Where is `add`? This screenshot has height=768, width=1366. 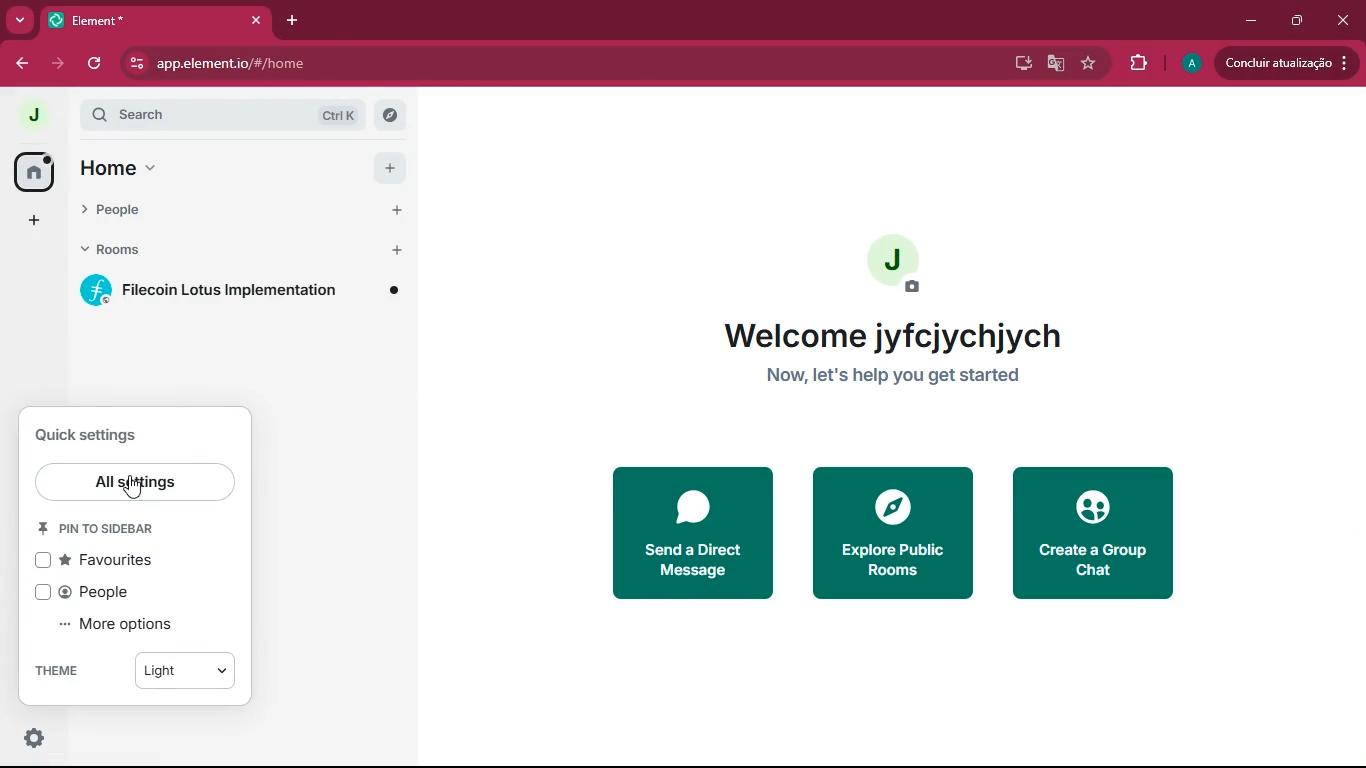 add is located at coordinates (30, 223).